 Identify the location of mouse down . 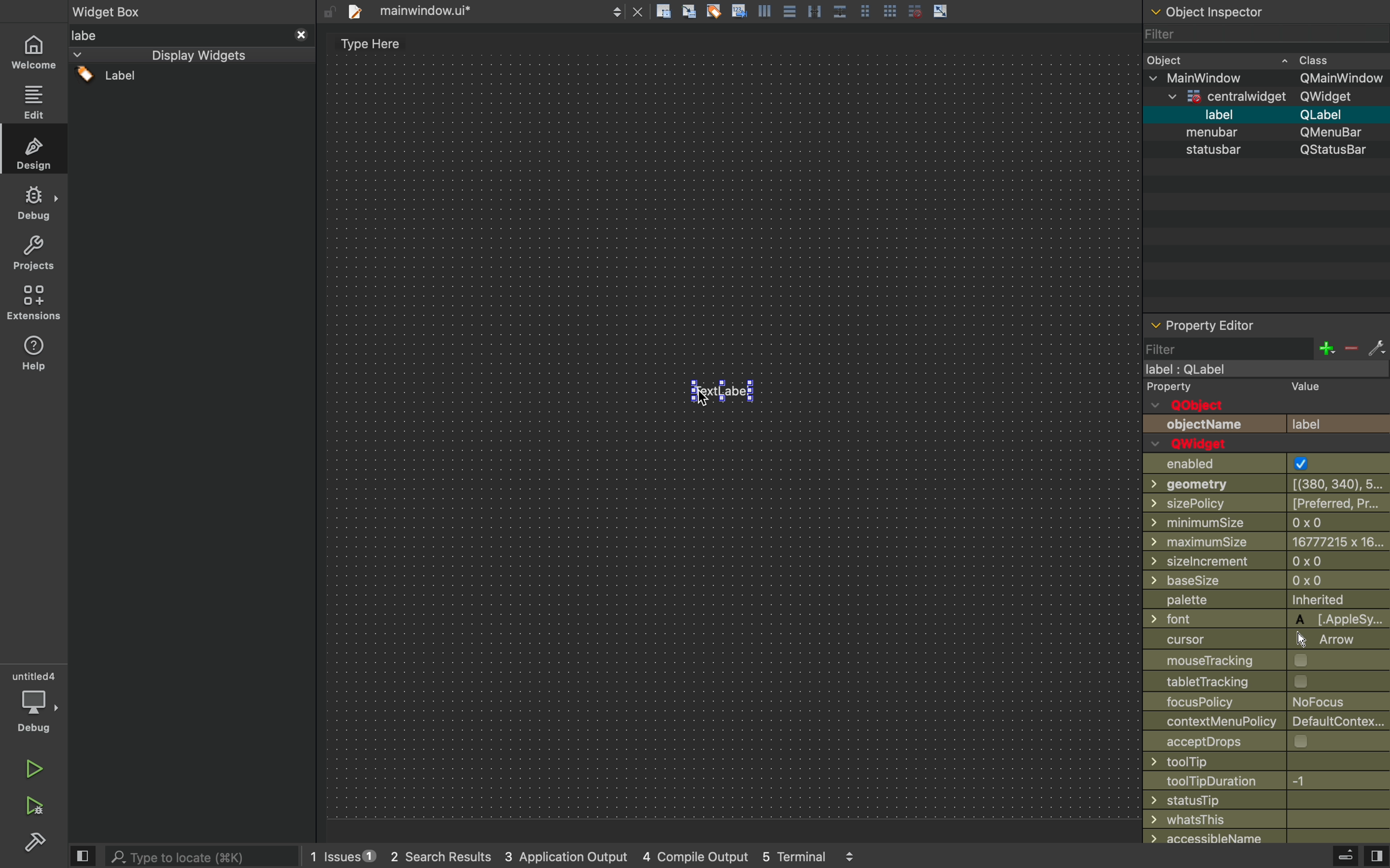
(192, 79).